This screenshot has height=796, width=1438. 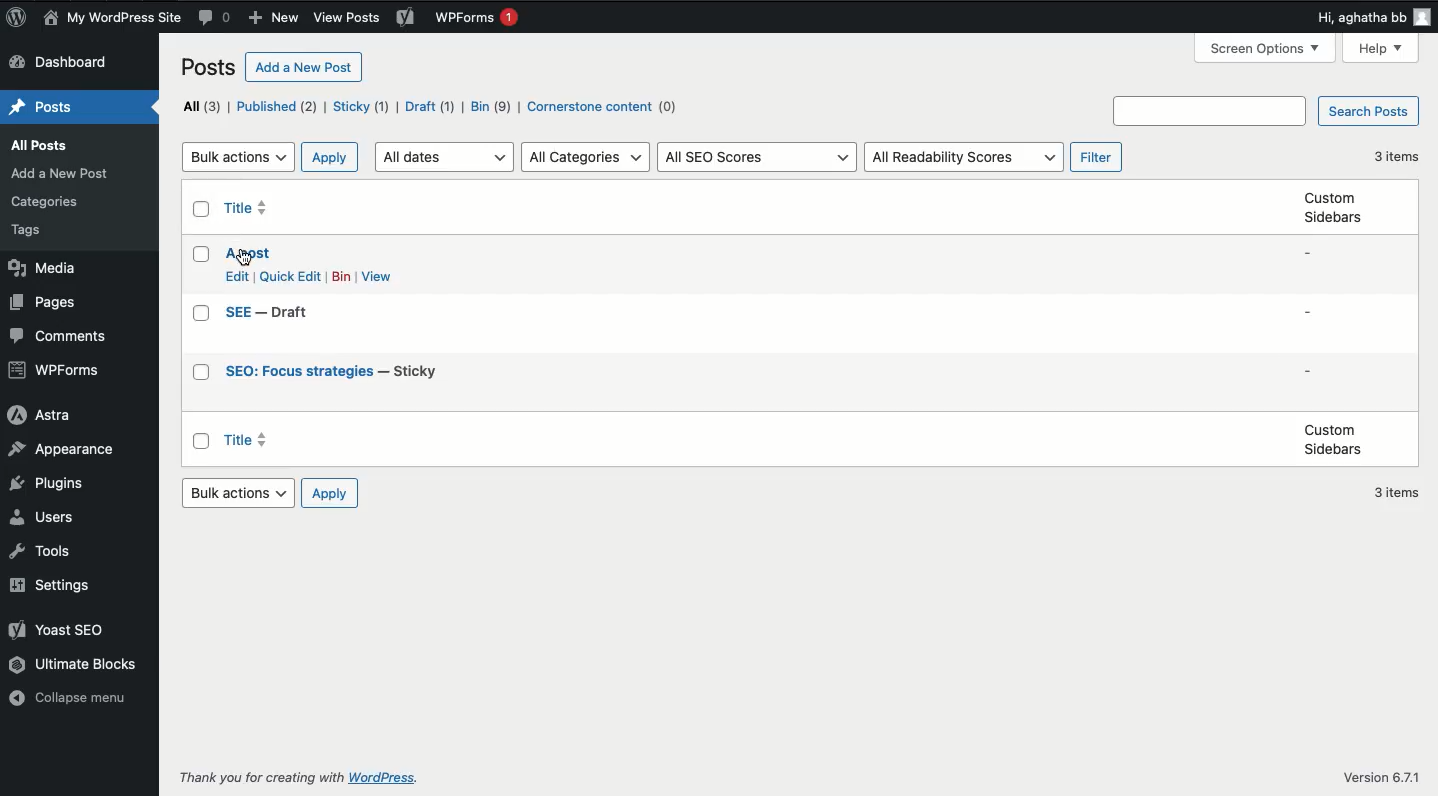 I want to click on , so click(x=34, y=233).